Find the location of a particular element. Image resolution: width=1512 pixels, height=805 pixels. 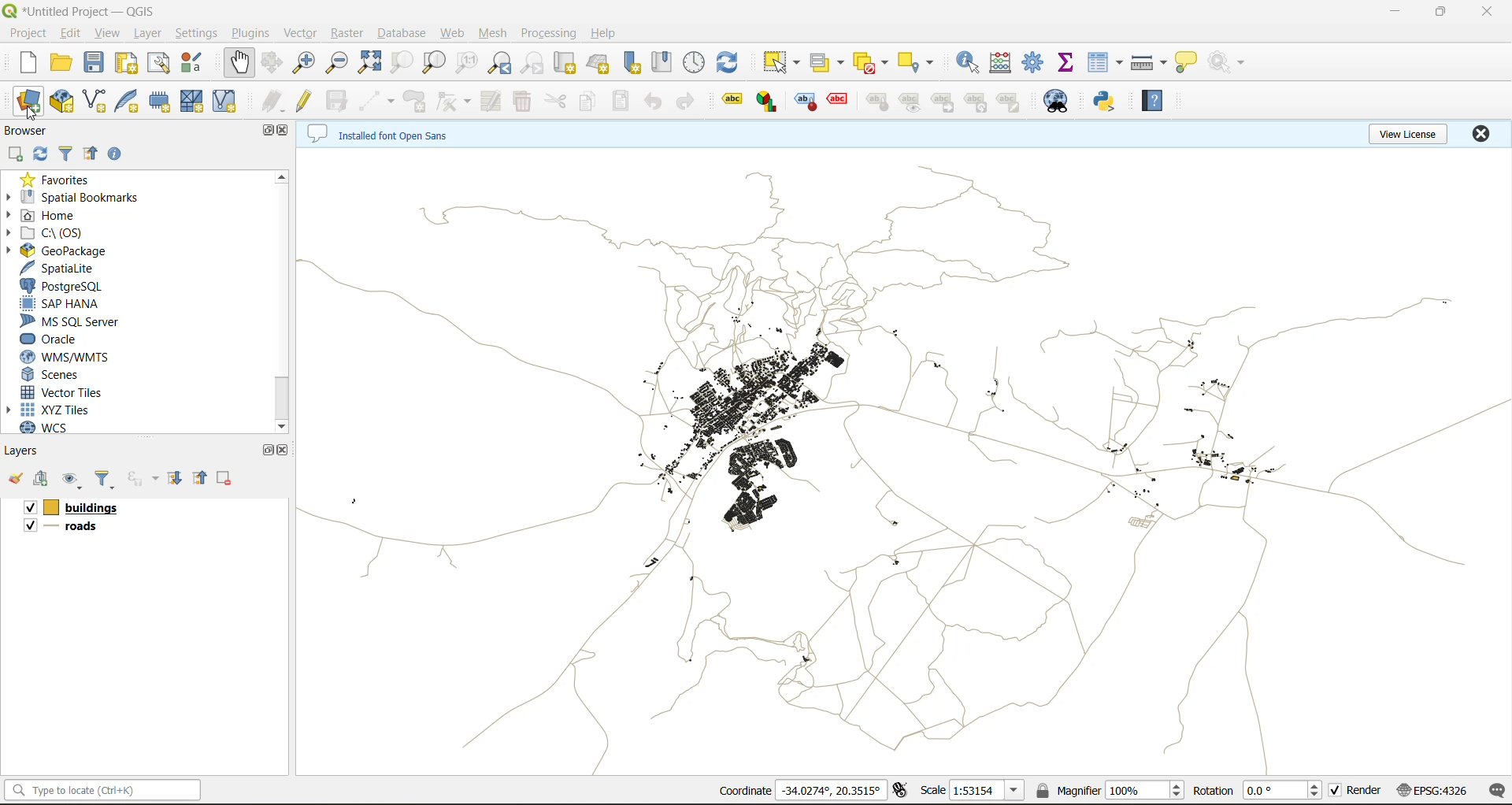

label tool is located at coordinates (945, 102).